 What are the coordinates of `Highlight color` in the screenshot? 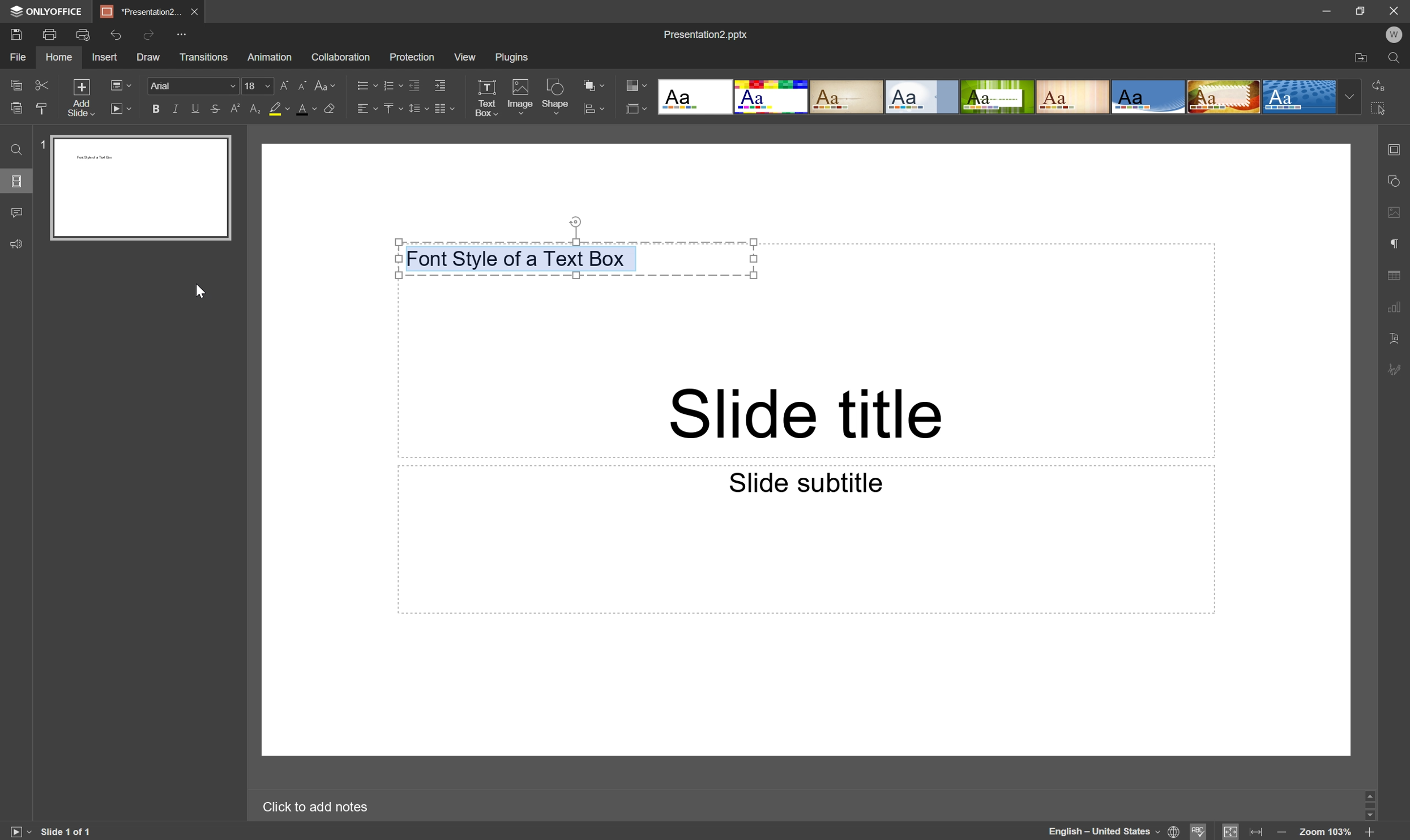 It's located at (280, 108).